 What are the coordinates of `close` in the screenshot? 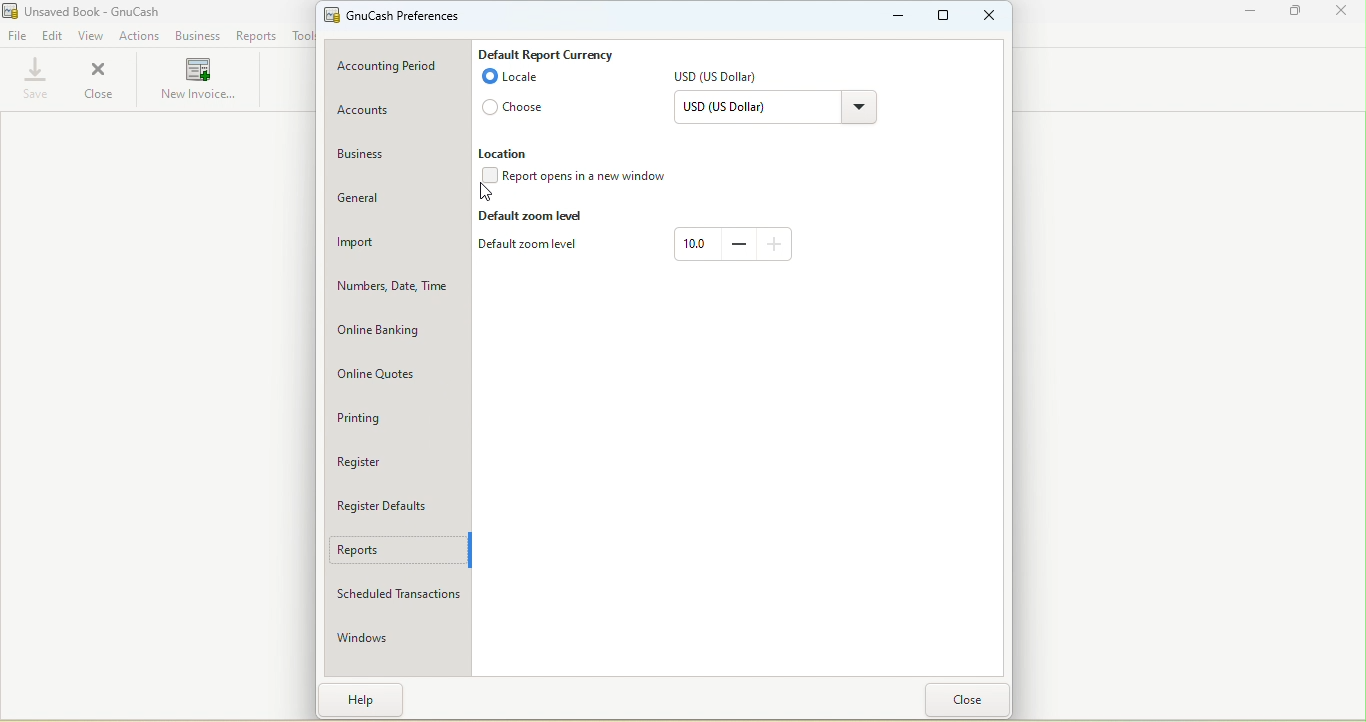 It's located at (967, 699).